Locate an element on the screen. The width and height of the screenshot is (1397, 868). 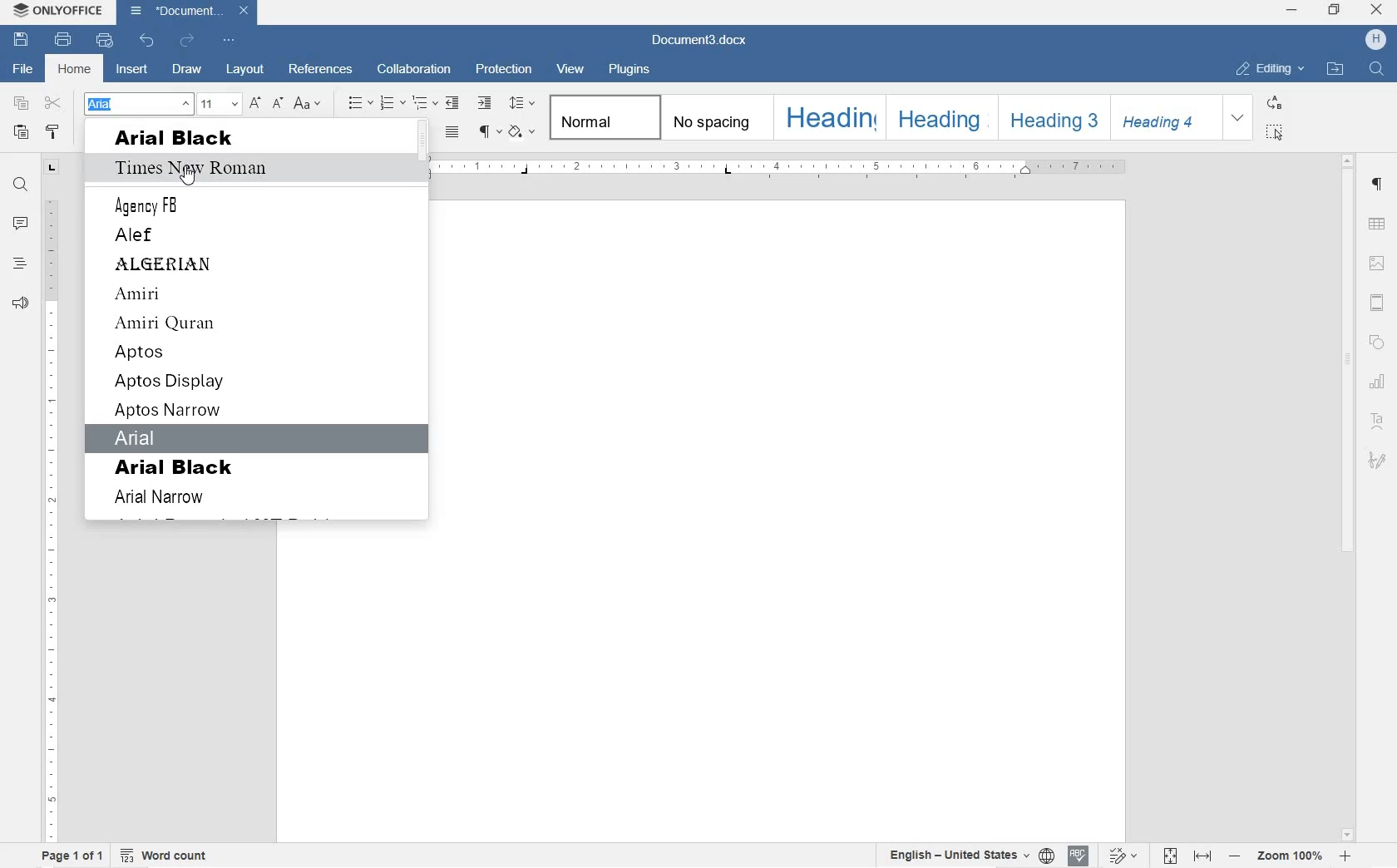
FIT TO PAGE OR WIDTH is located at coordinates (1190, 854).